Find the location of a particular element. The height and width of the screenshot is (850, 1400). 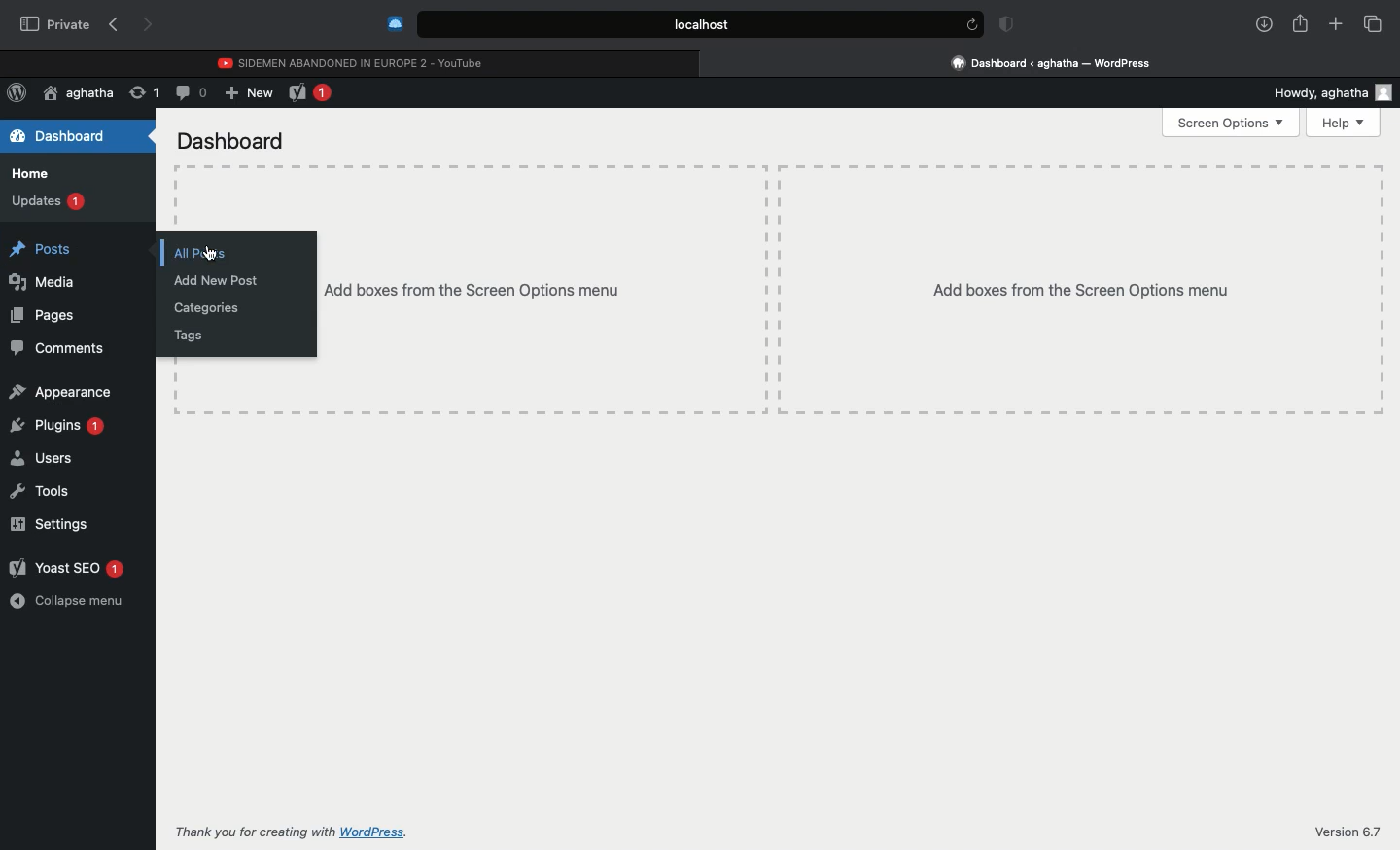

Tags is located at coordinates (189, 335).